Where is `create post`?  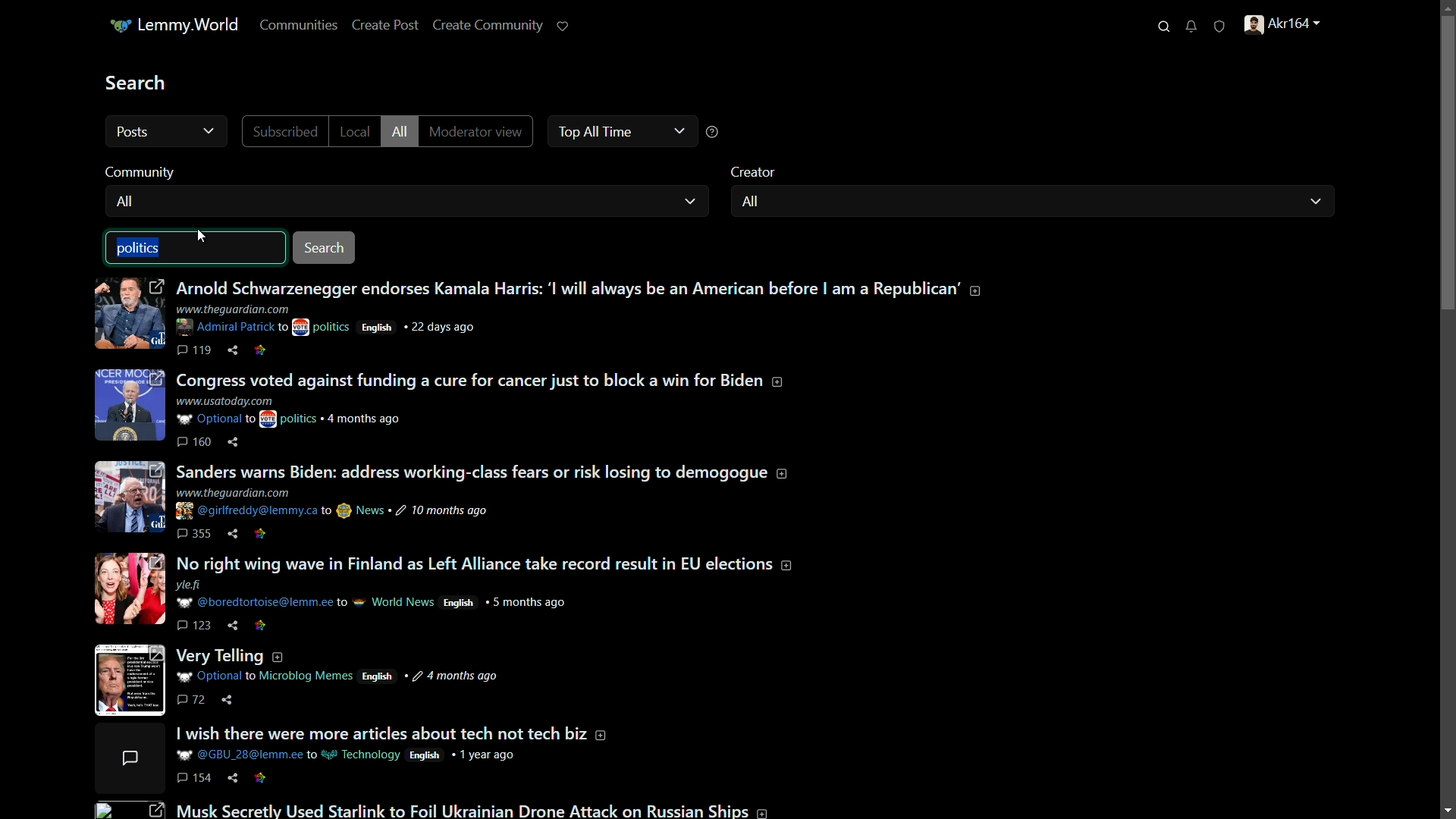 create post is located at coordinates (385, 26).